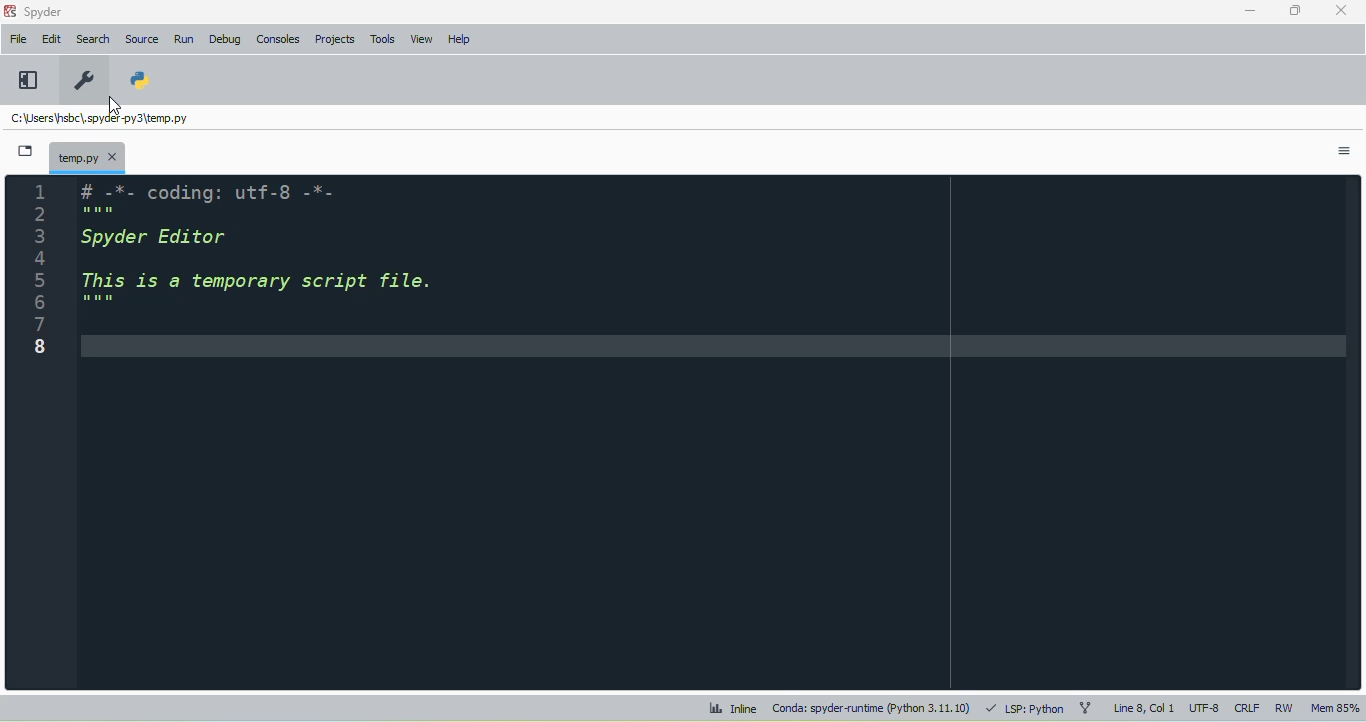 The image size is (1366, 722). What do you see at coordinates (226, 39) in the screenshot?
I see `debug` at bounding box center [226, 39].